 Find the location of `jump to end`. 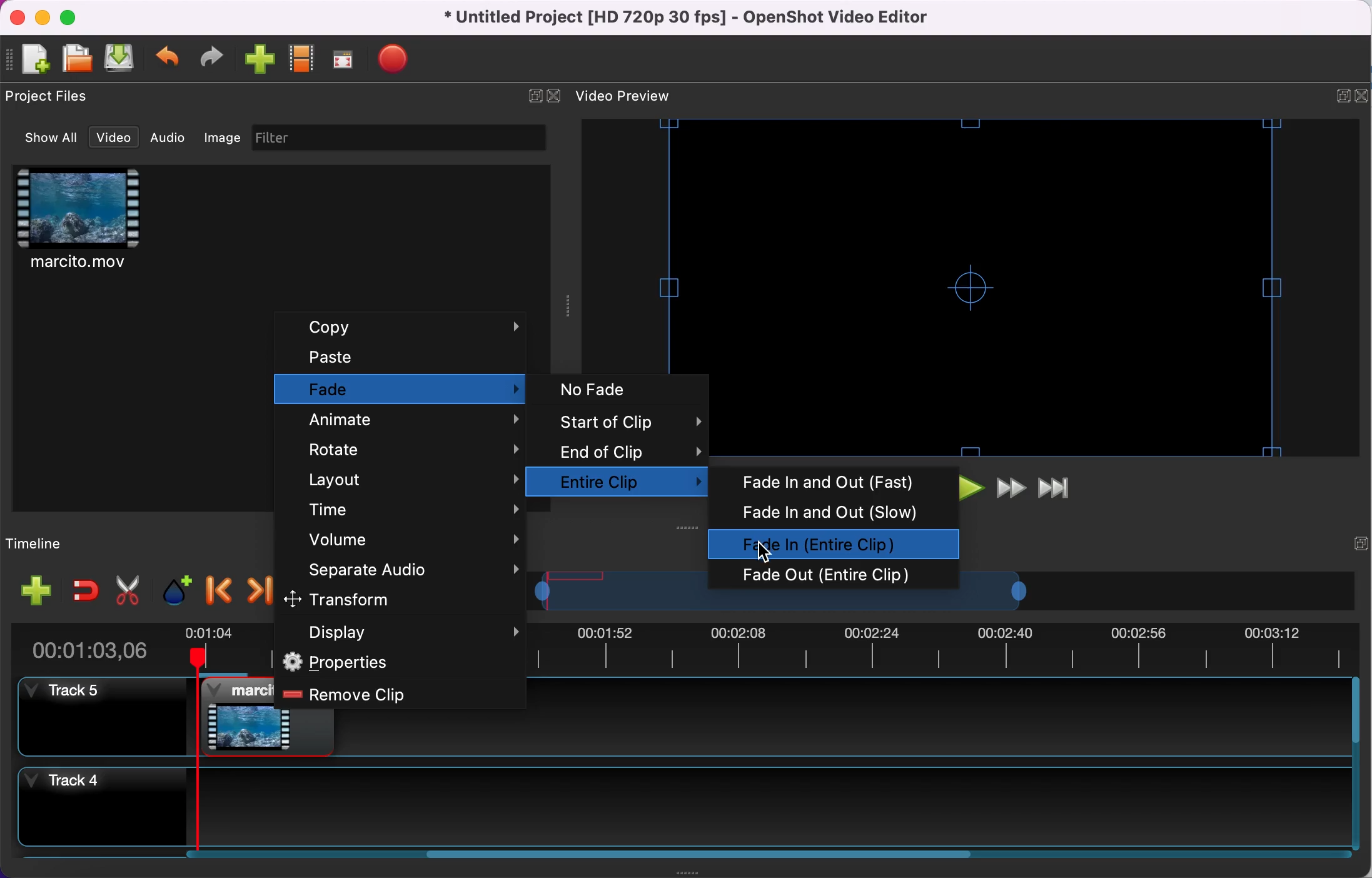

jump to end is located at coordinates (1060, 489).